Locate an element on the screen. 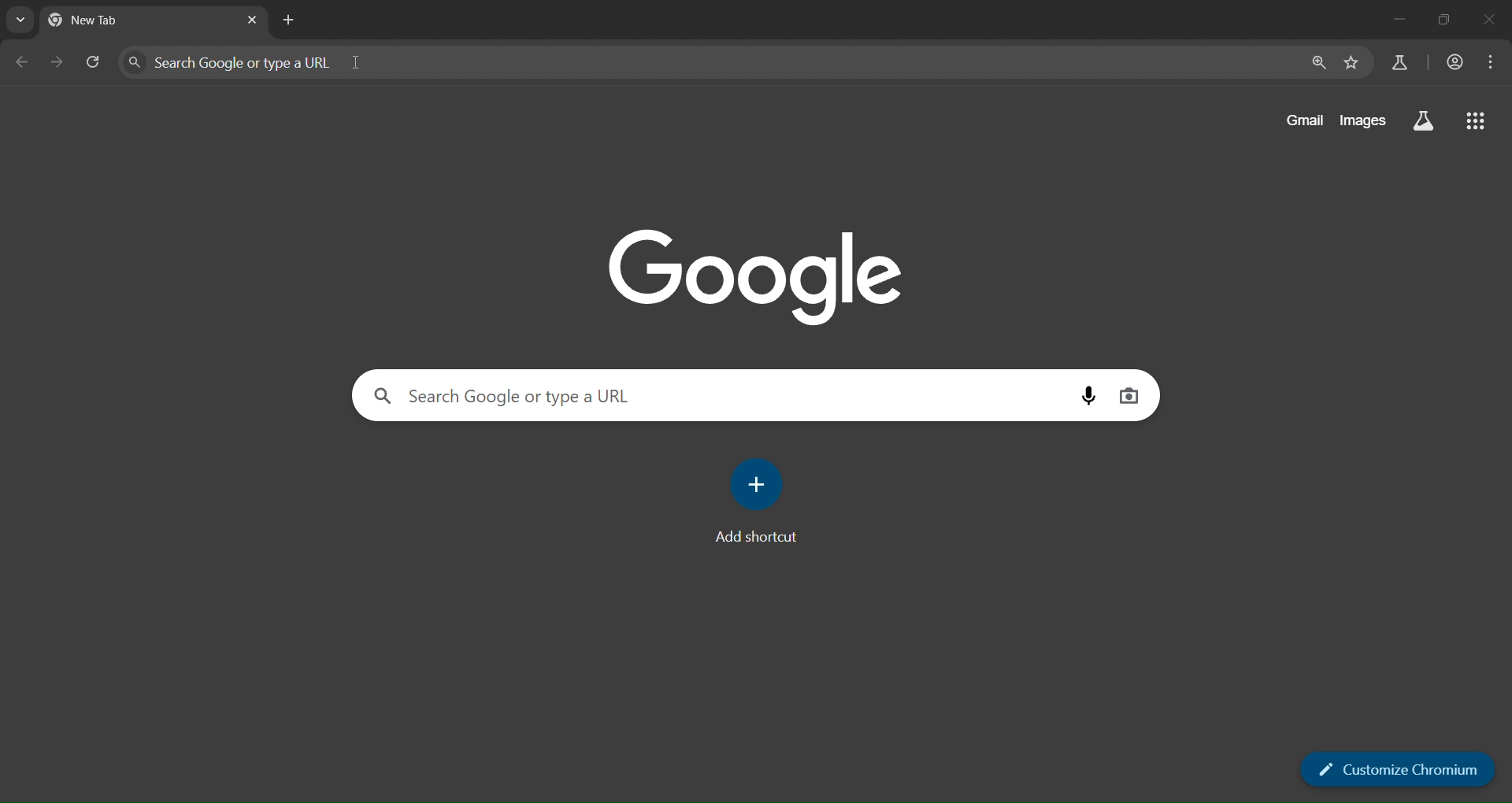 This screenshot has height=803, width=1512. add is located at coordinates (760, 483).